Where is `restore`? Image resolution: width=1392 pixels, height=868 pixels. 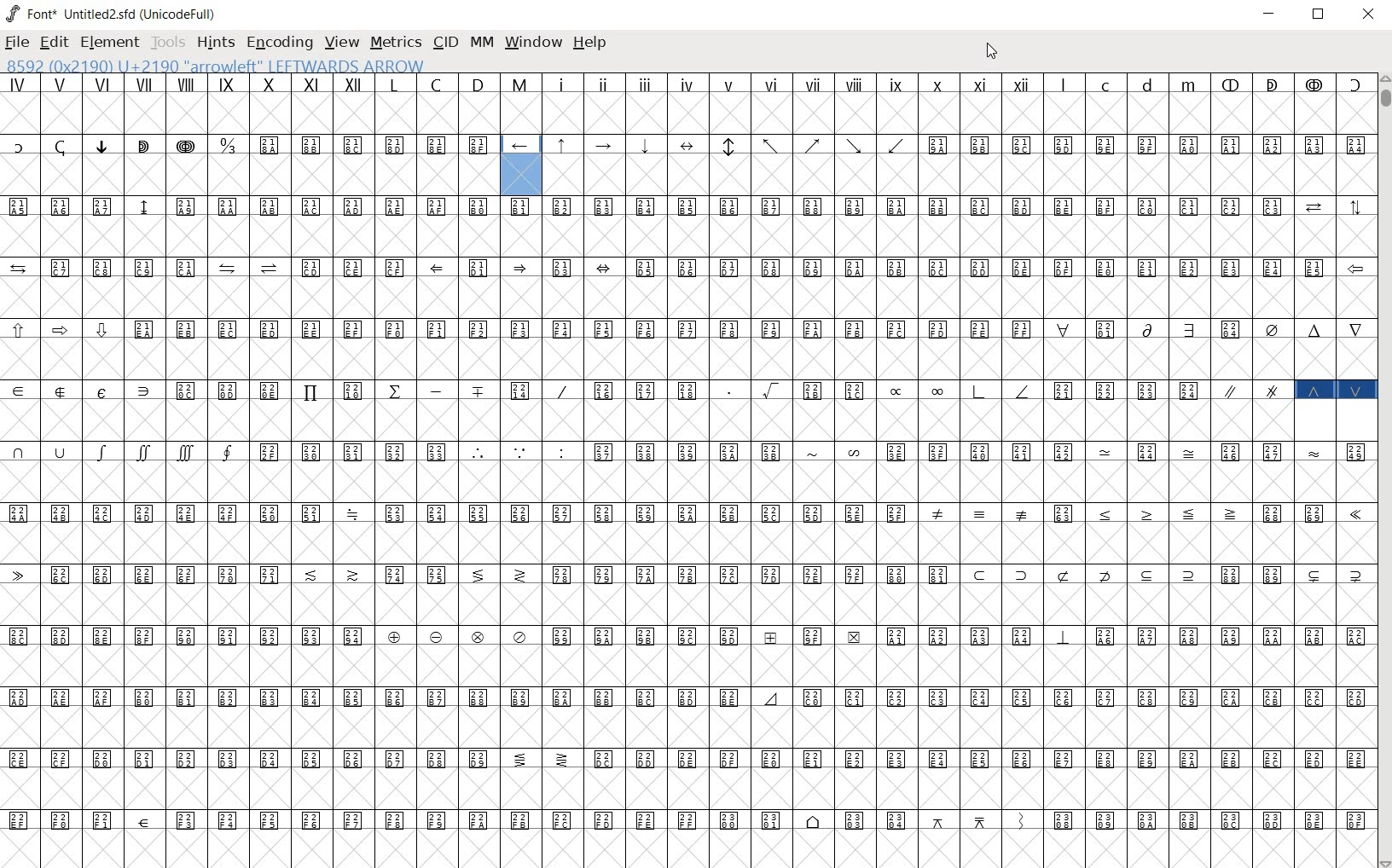
restore is located at coordinates (1320, 14).